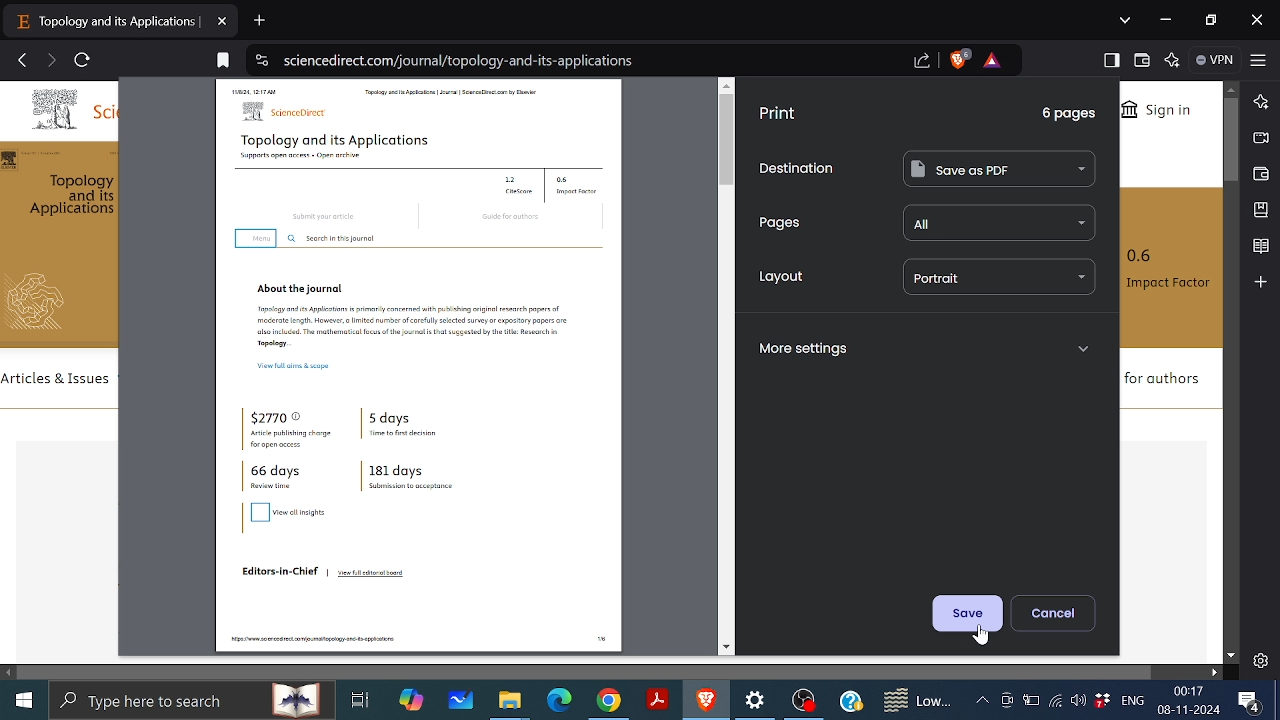 The height and width of the screenshot is (720, 1280). I want to click on Speakers, so click(1076, 700).